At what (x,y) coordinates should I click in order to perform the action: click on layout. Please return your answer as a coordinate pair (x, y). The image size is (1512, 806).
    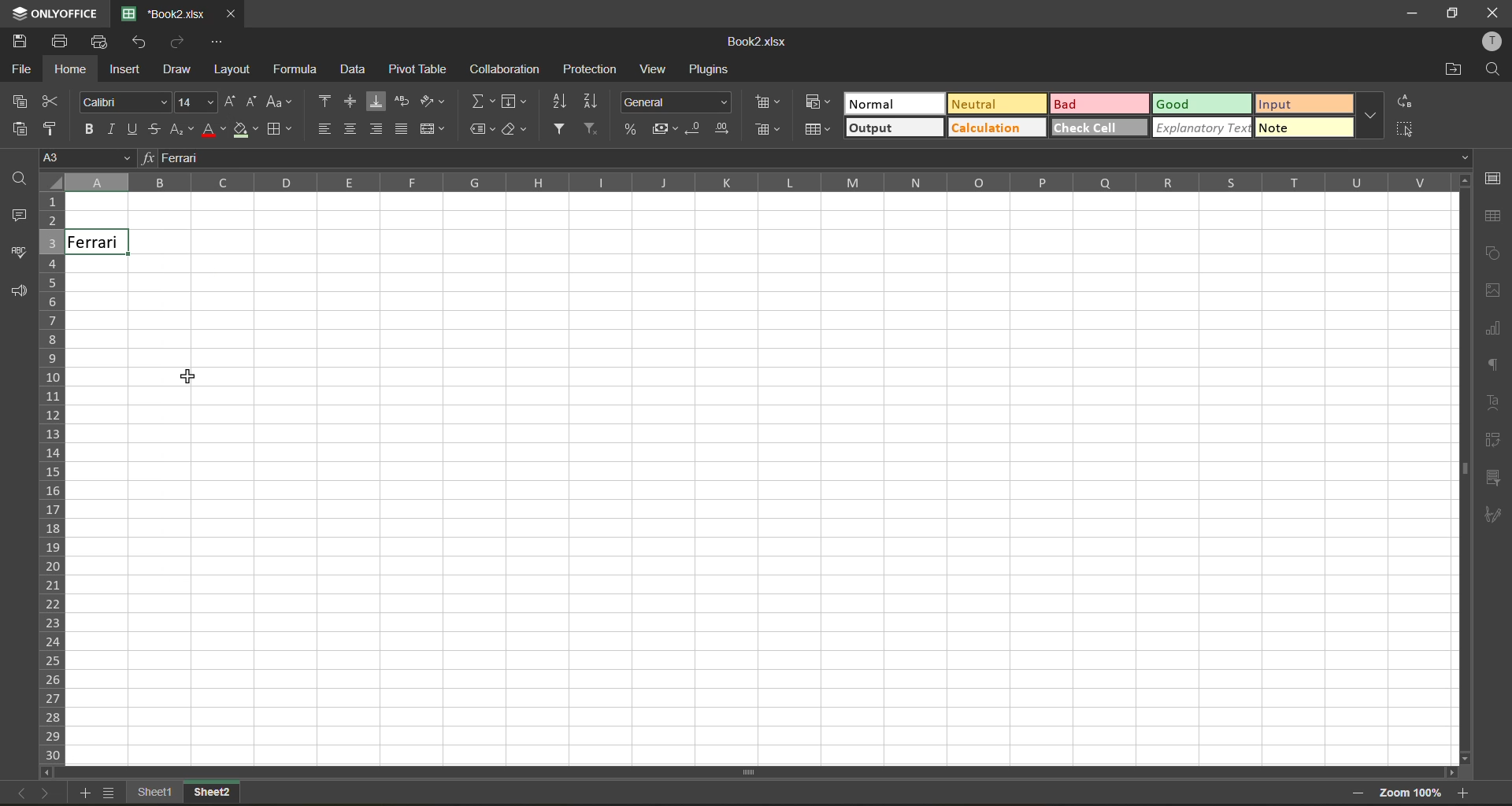
    Looking at the image, I should click on (232, 69).